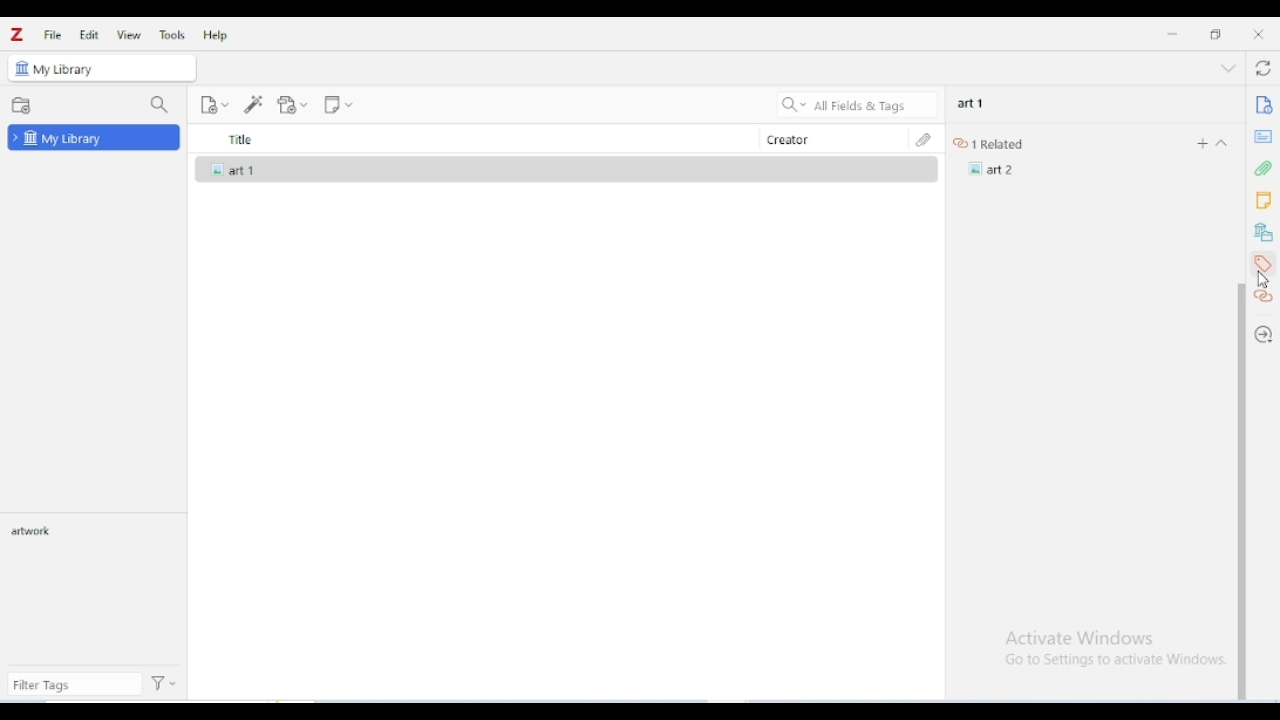  I want to click on help, so click(216, 35).